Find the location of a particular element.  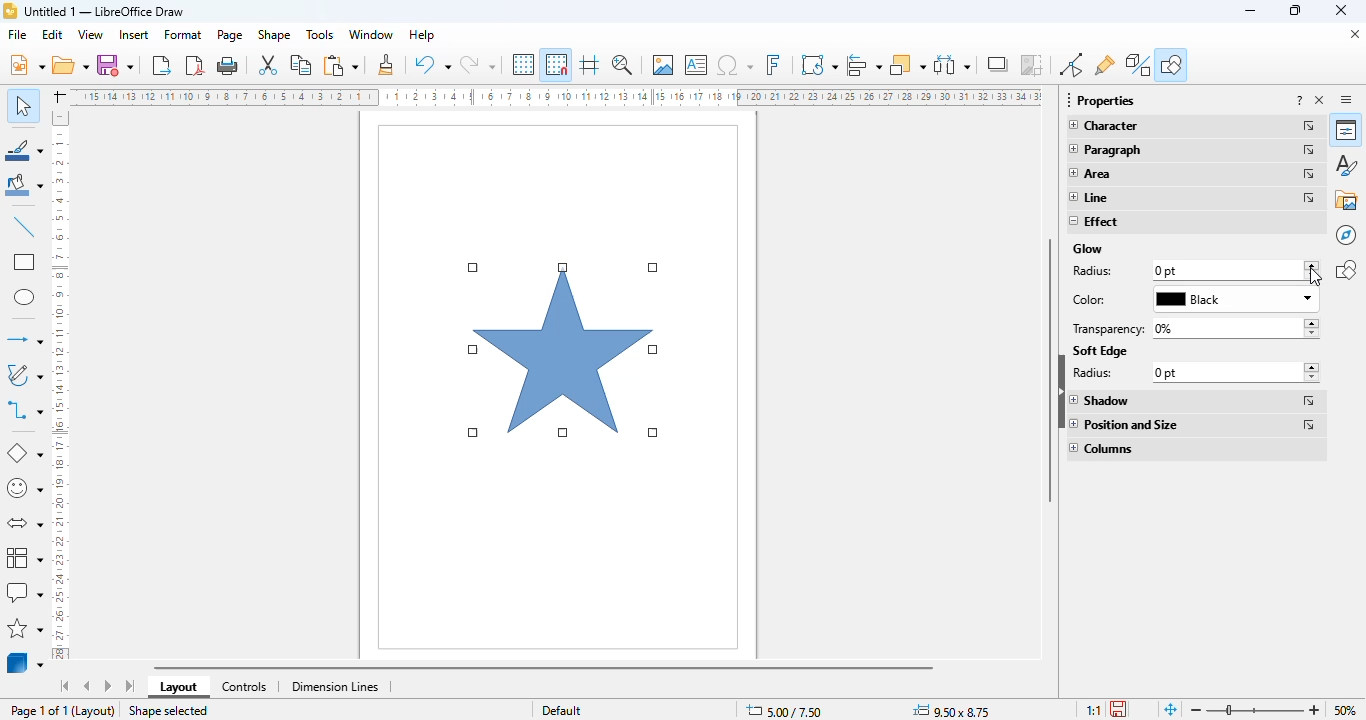

change in X&Y coordinates is located at coordinates (785, 711).